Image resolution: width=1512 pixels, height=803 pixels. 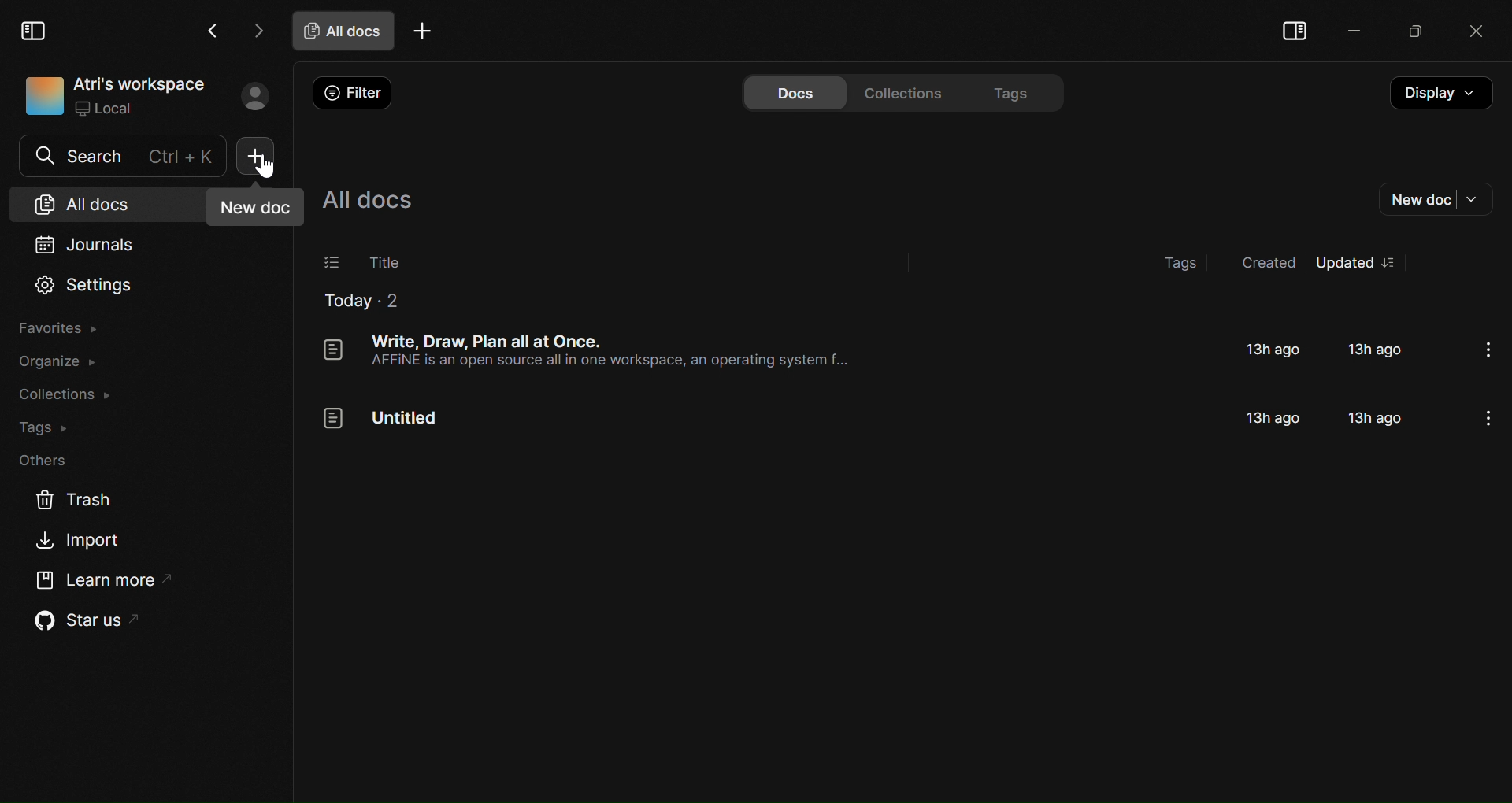 What do you see at coordinates (358, 93) in the screenshot?
I see `Filter` at bounding box center [358, 93].